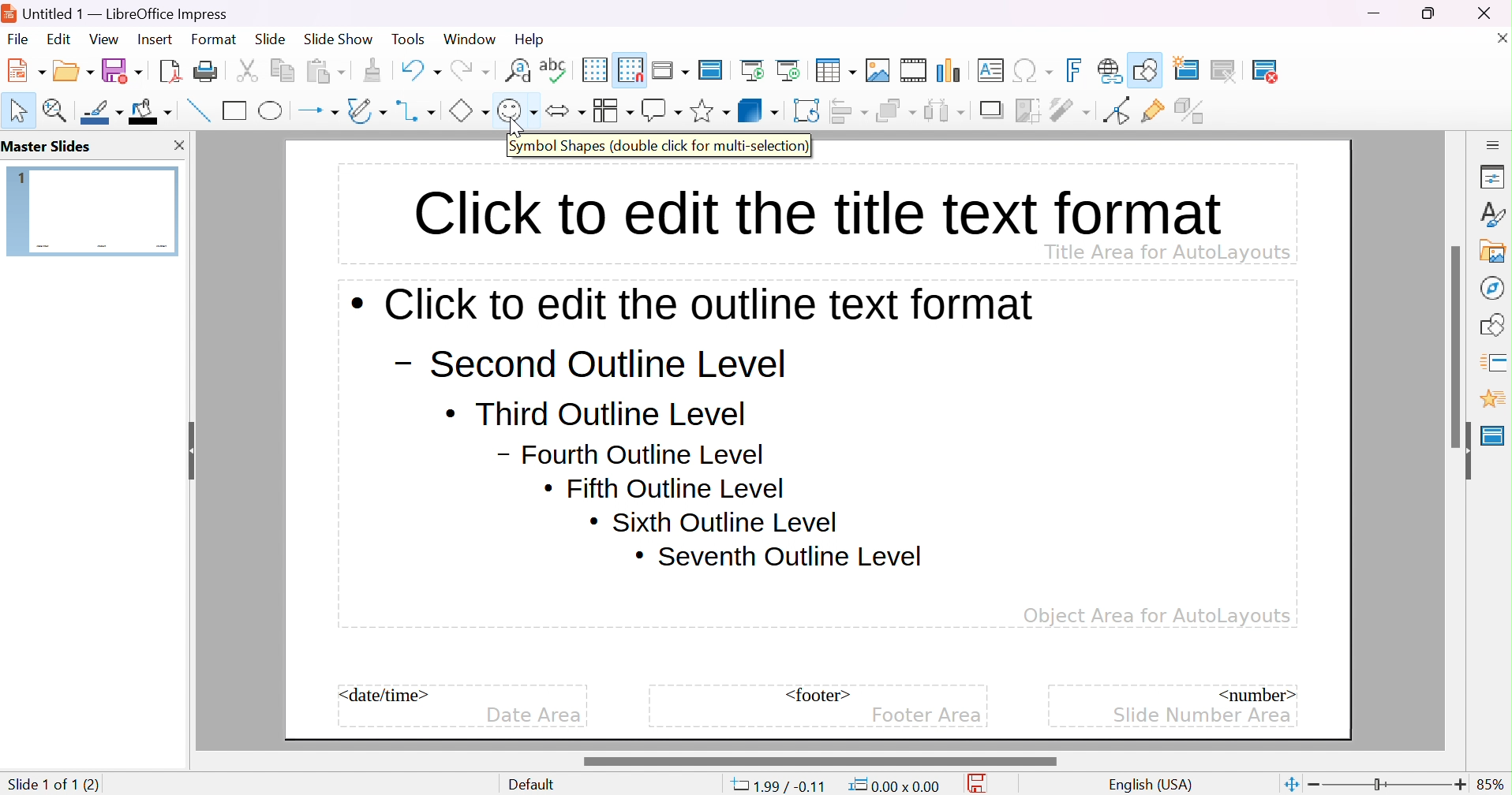 The width and height of the screenshot is (1512, 795). I want to click on properties, so click(1493, 178).